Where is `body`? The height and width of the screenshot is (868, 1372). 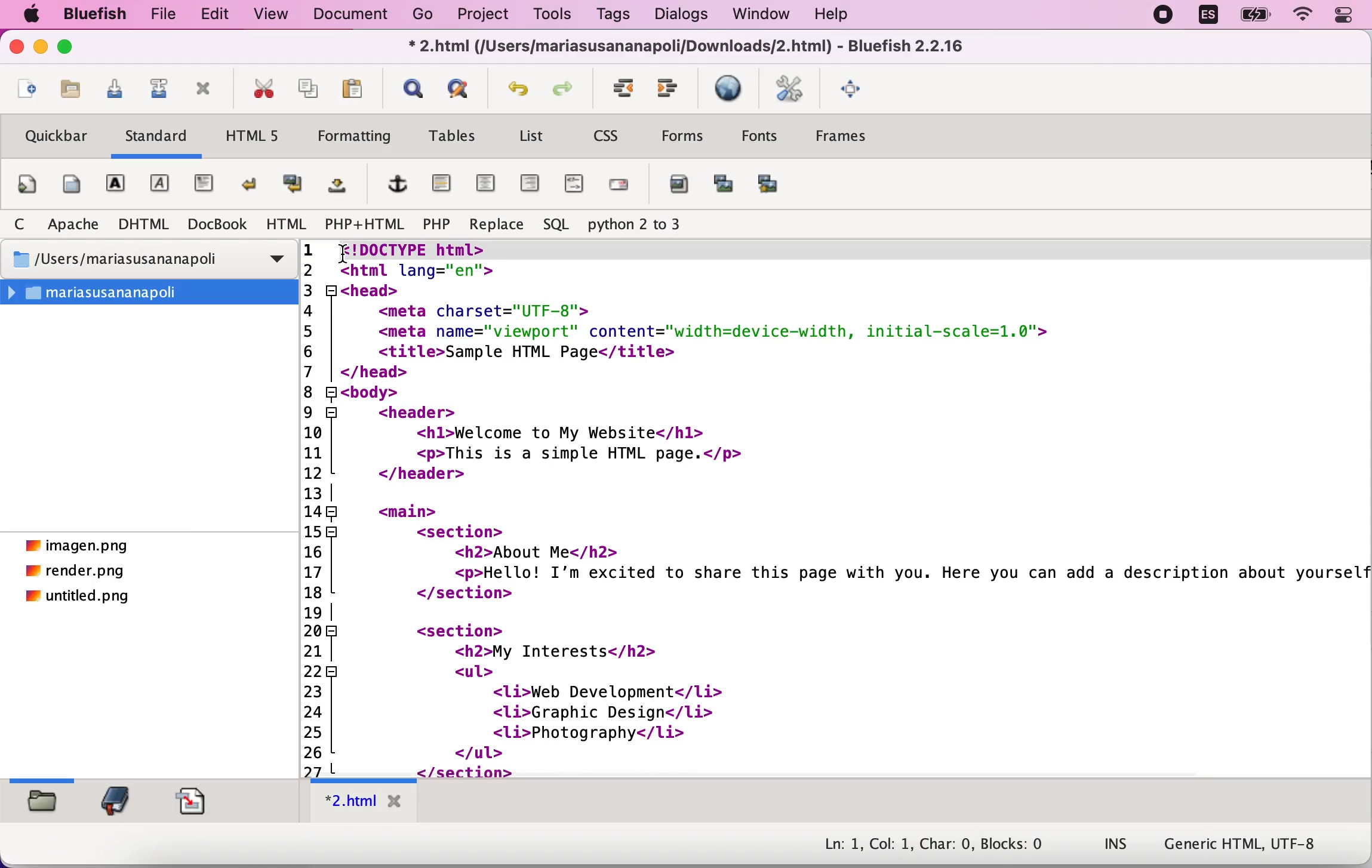 body is located at coordinates (69, 184).